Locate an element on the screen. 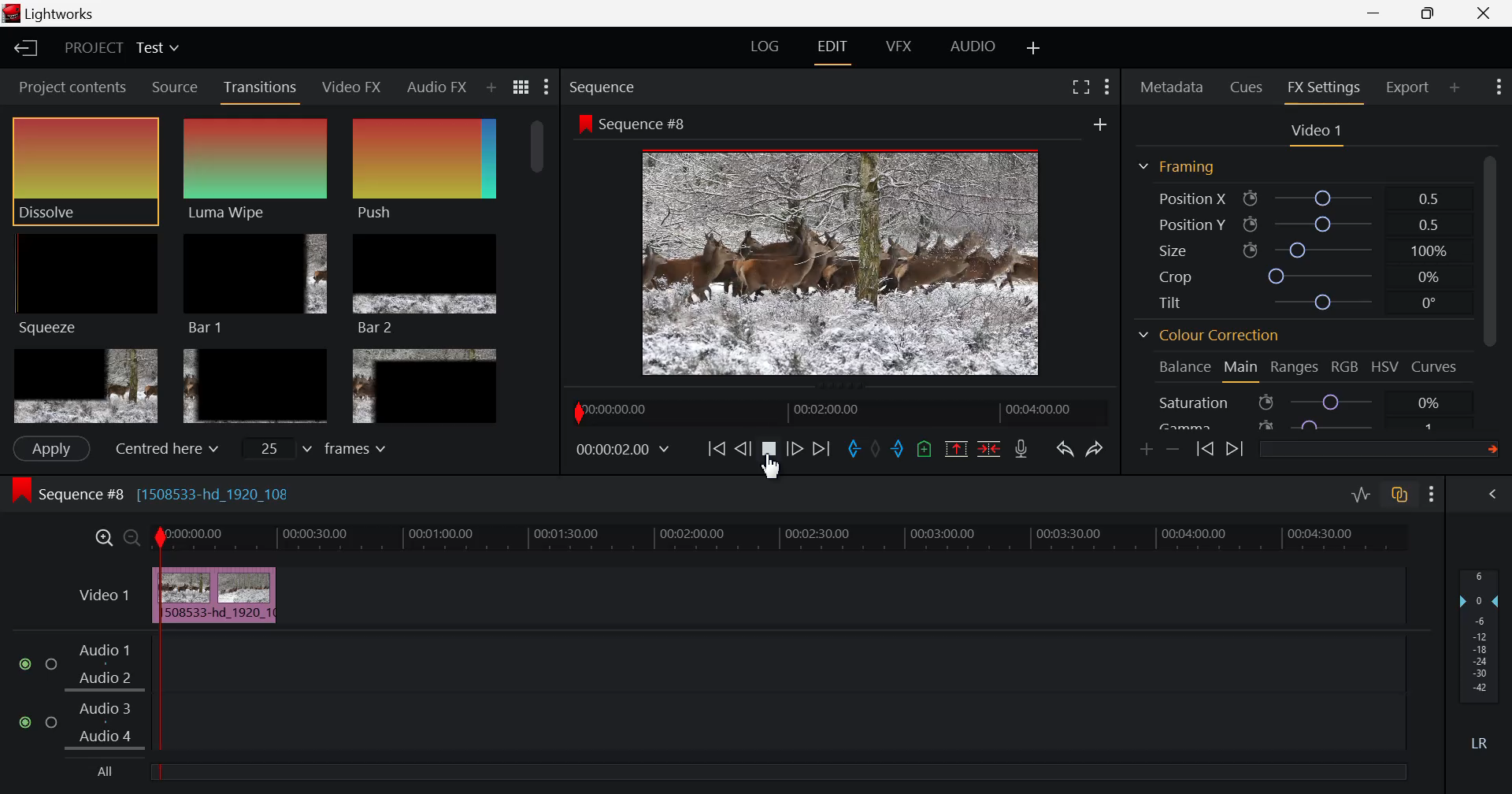  Framing Section is located at coordinates (1177, 168).